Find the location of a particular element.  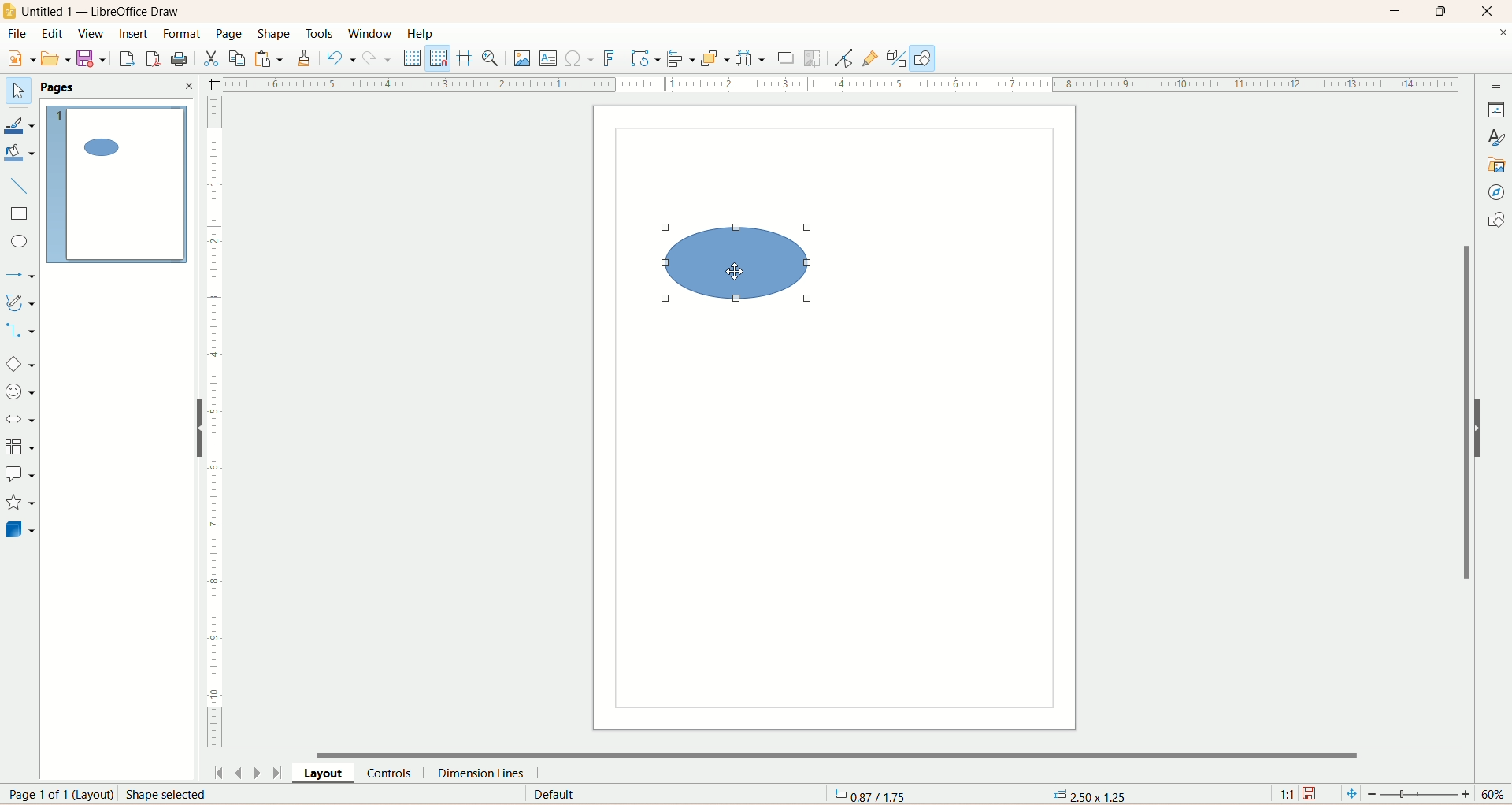

sidebar settings is located at coordinates (1497, 87).